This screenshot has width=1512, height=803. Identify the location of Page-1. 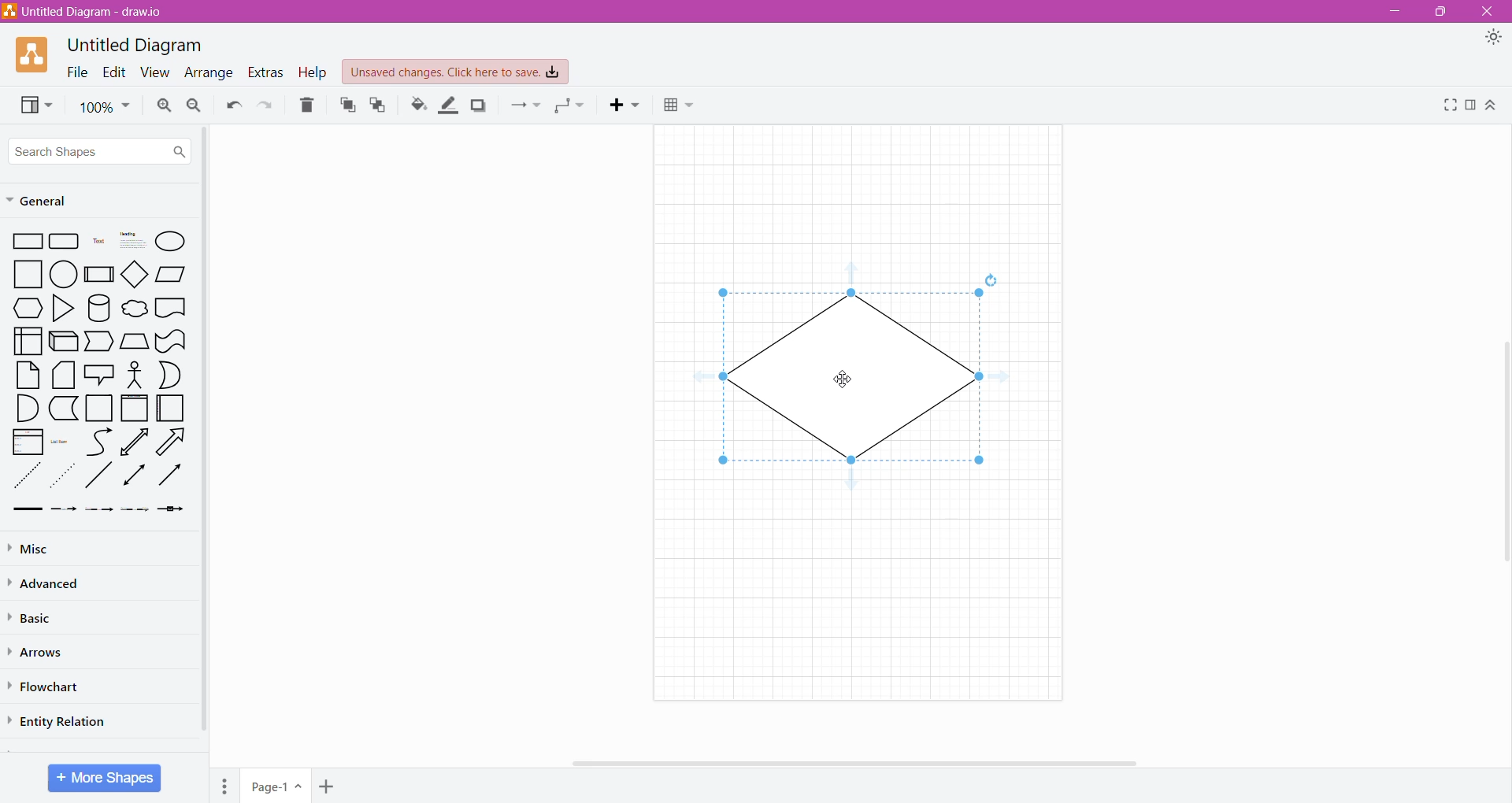
(274, 786).